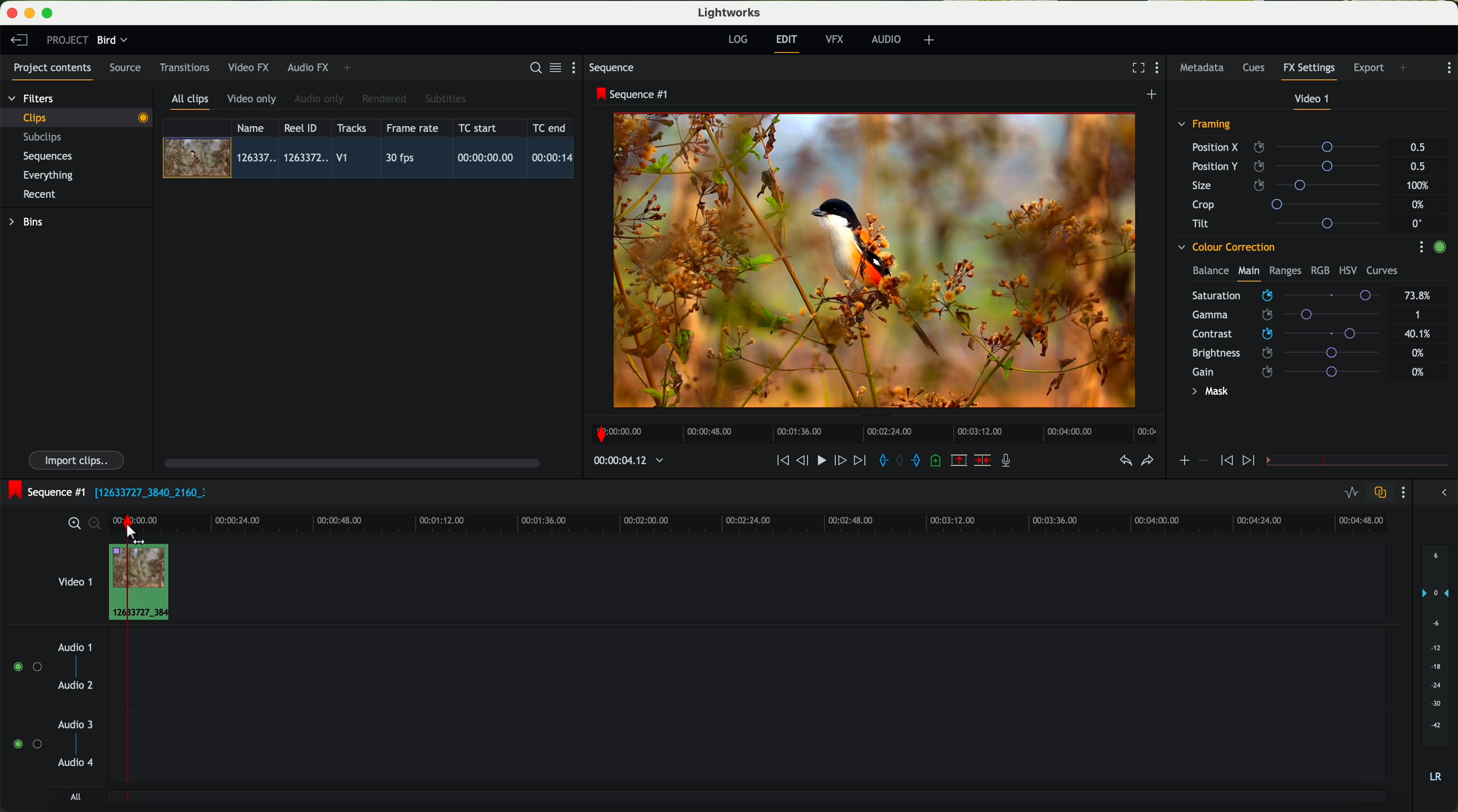 Image resolution: width=1458 pixels, height=812 pixels. I want to click on position Y, so click(1290, 166).